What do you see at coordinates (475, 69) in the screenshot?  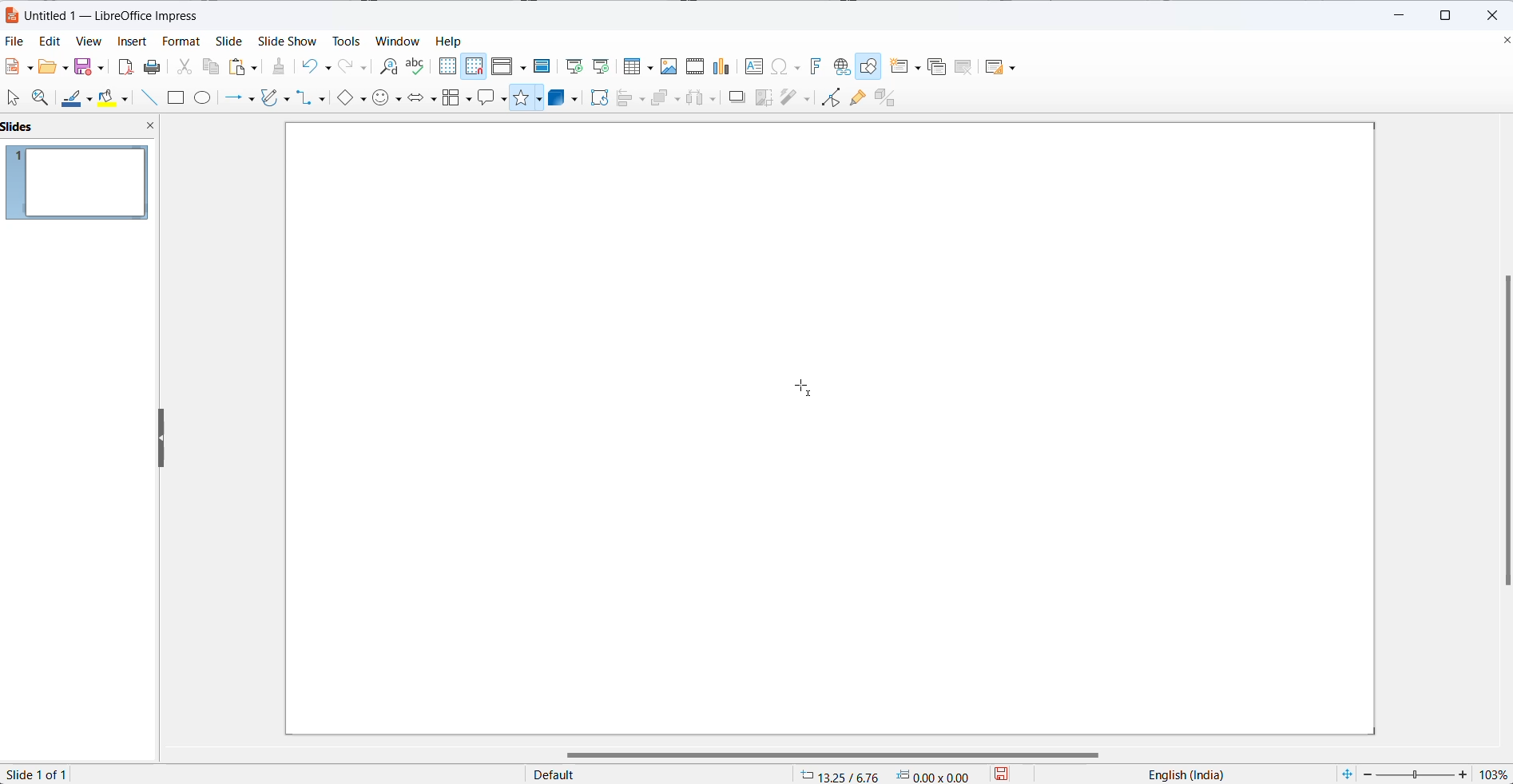 I see `snap to grid` at bounding box center [475, 69].